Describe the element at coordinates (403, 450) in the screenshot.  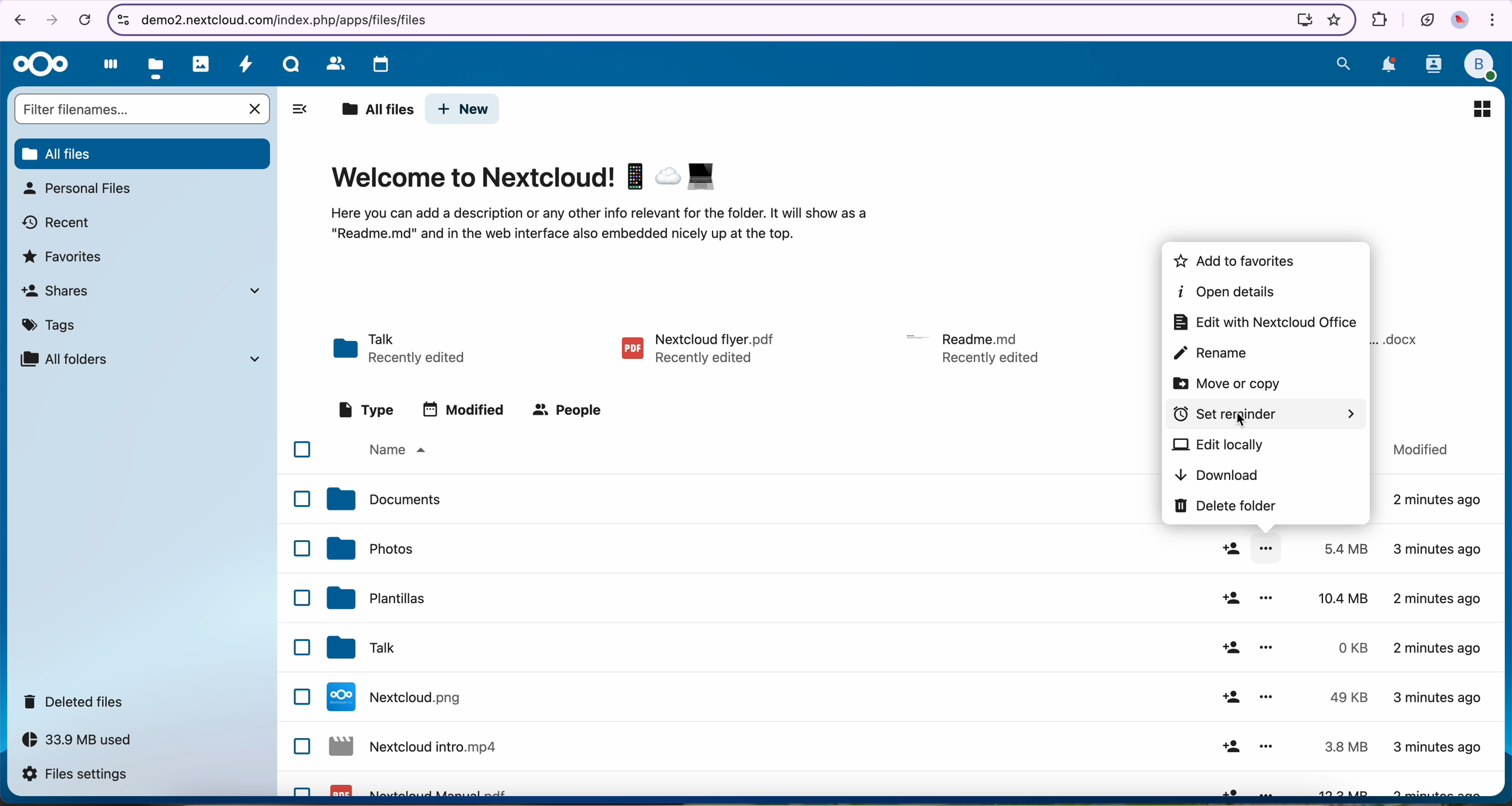
I see `name` at that location.